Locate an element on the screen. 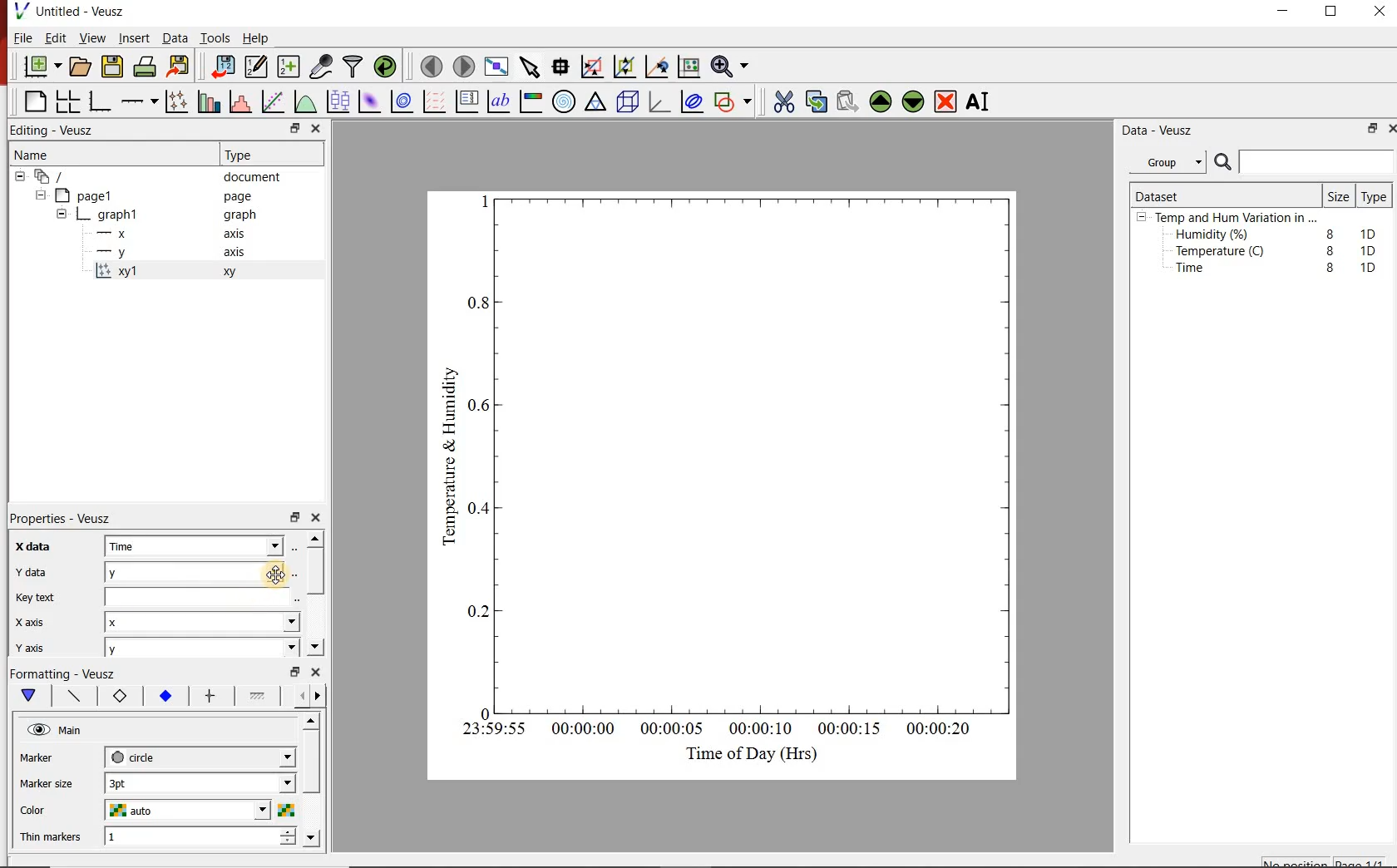 The width and height of the screenshot is (1397, 868). 00:00:00 is located at coordinates (580, 731).